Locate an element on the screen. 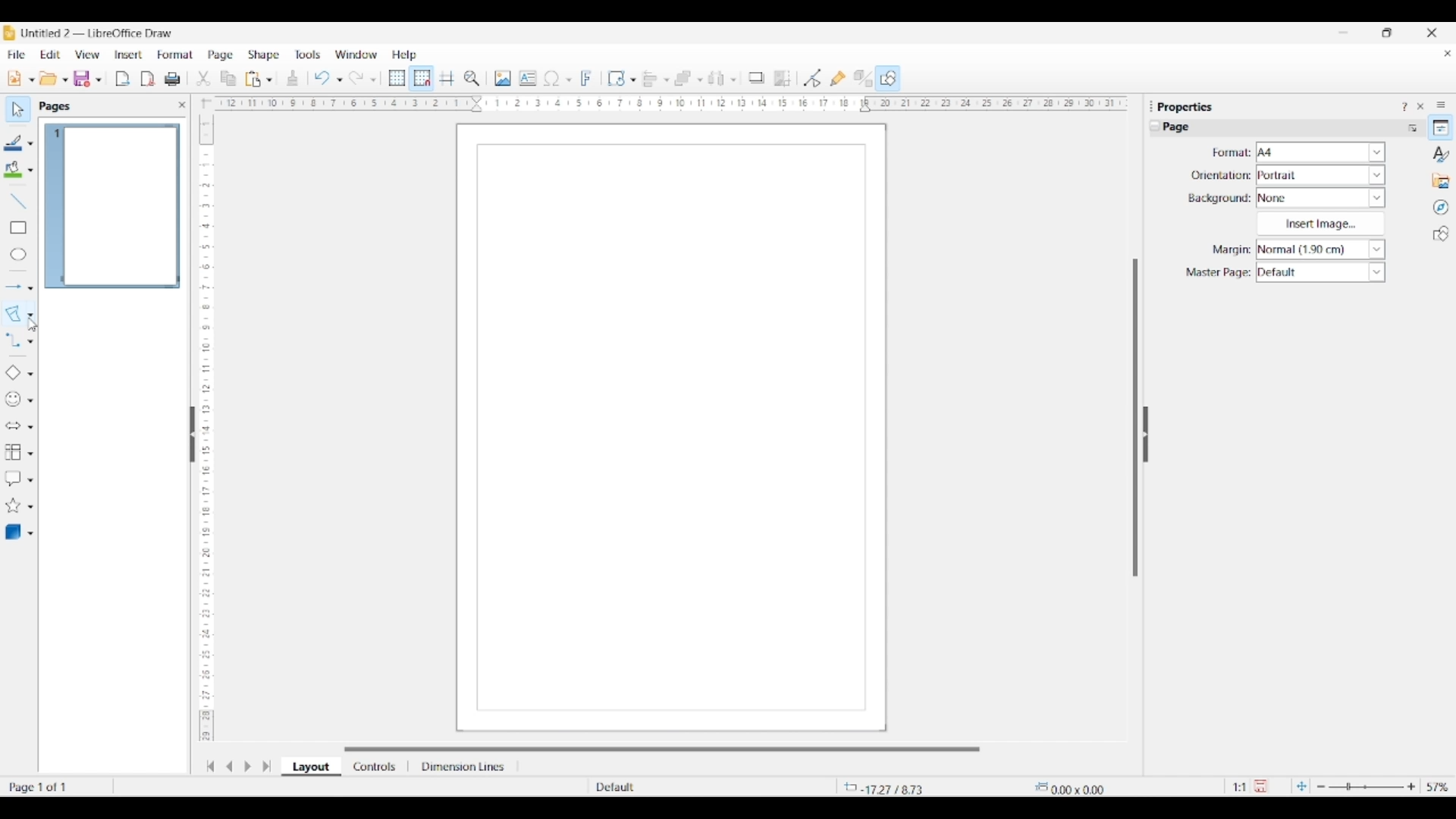 This screenshot has height=819, width=1456. Slide master name is located at coordinates (680, 788).